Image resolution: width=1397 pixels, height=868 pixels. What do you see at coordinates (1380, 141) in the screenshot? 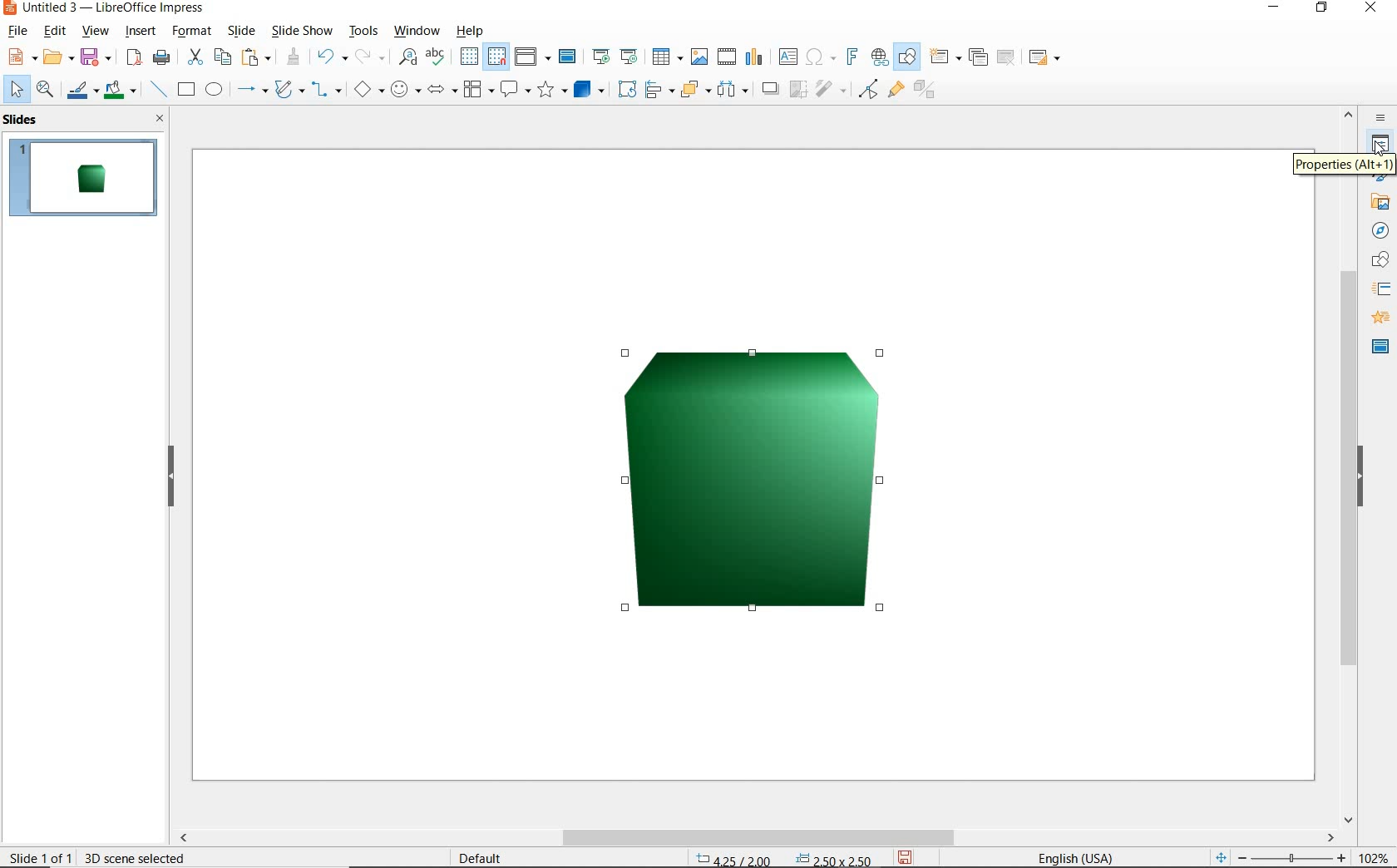
I see `PROPERTIES` at bounding box center [1380, 141].